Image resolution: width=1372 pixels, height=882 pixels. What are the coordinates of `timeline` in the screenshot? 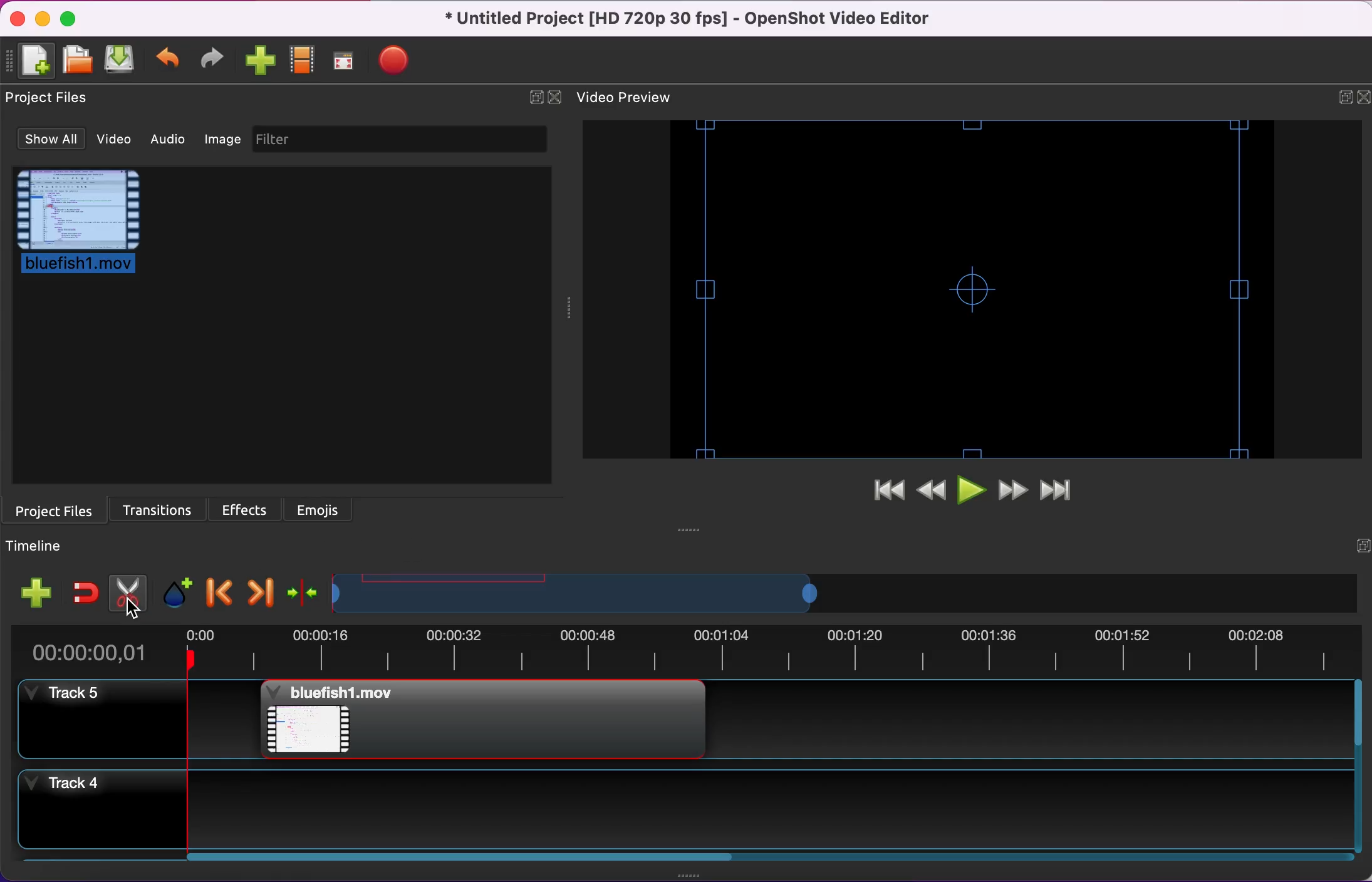 It's located at (41, 547).